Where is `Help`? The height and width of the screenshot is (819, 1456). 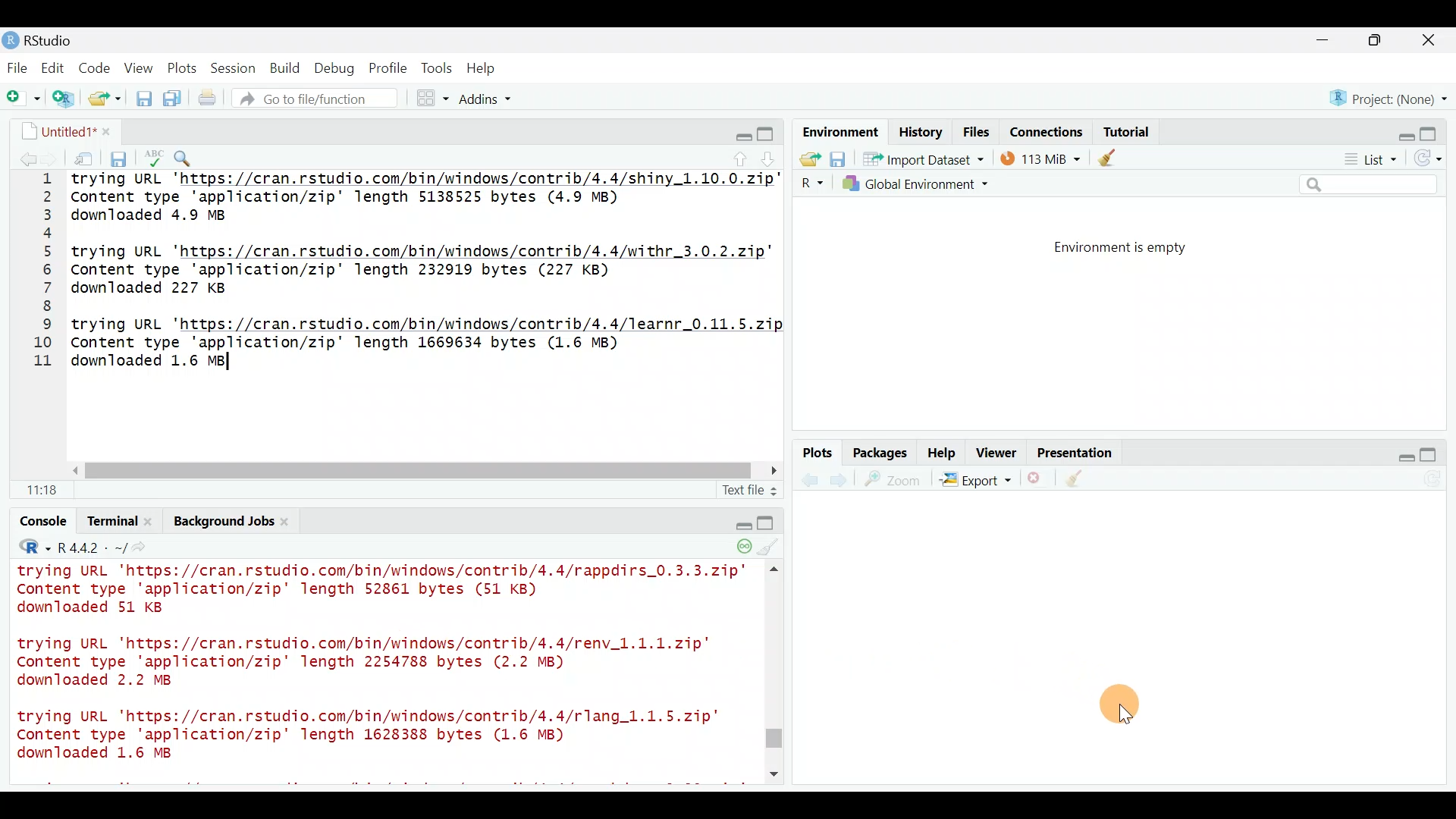 Help is located at coordinates (483, 68).